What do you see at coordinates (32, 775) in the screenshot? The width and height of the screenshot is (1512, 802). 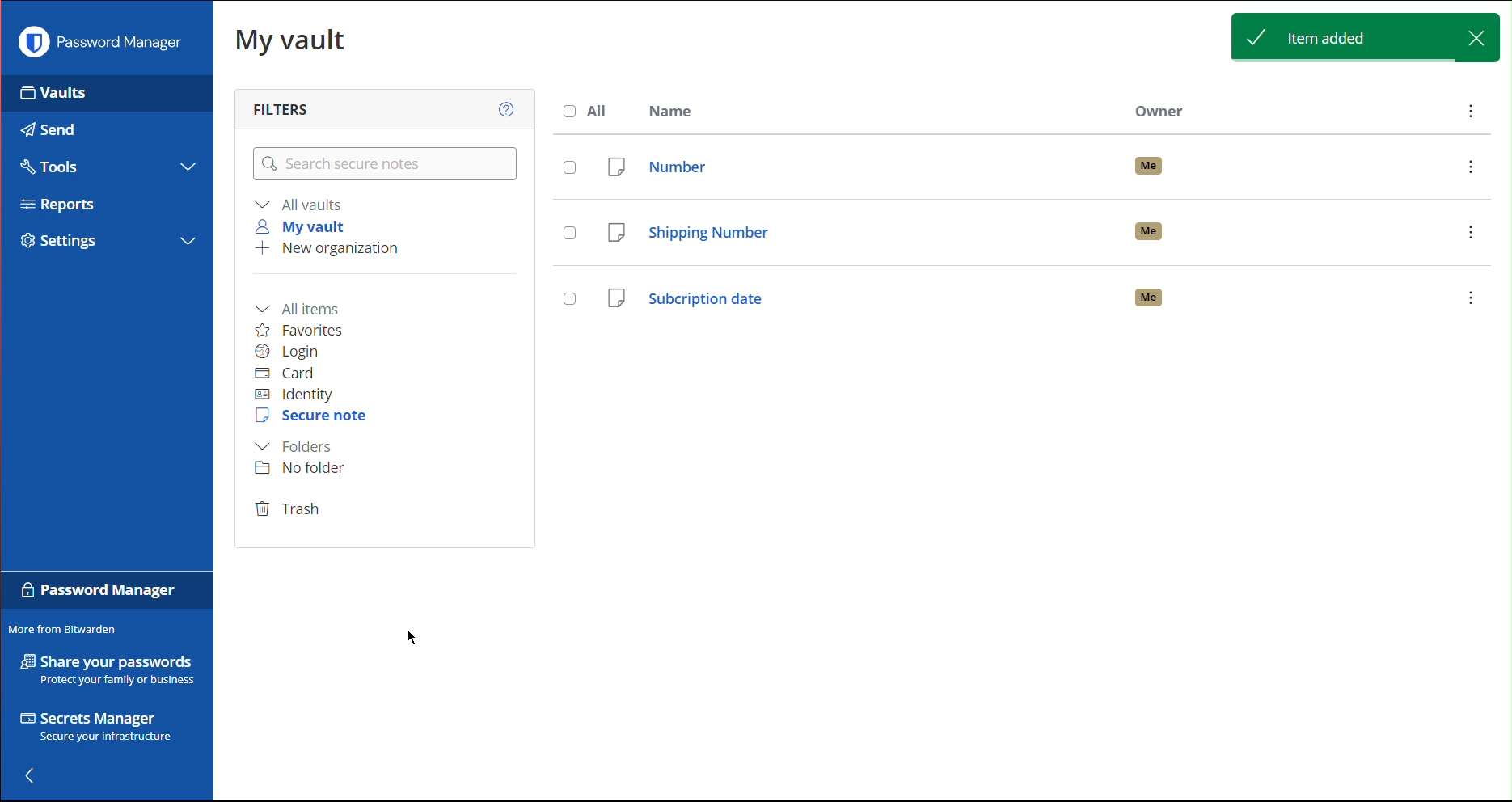 I see `back` at bounding box center [32, 775].